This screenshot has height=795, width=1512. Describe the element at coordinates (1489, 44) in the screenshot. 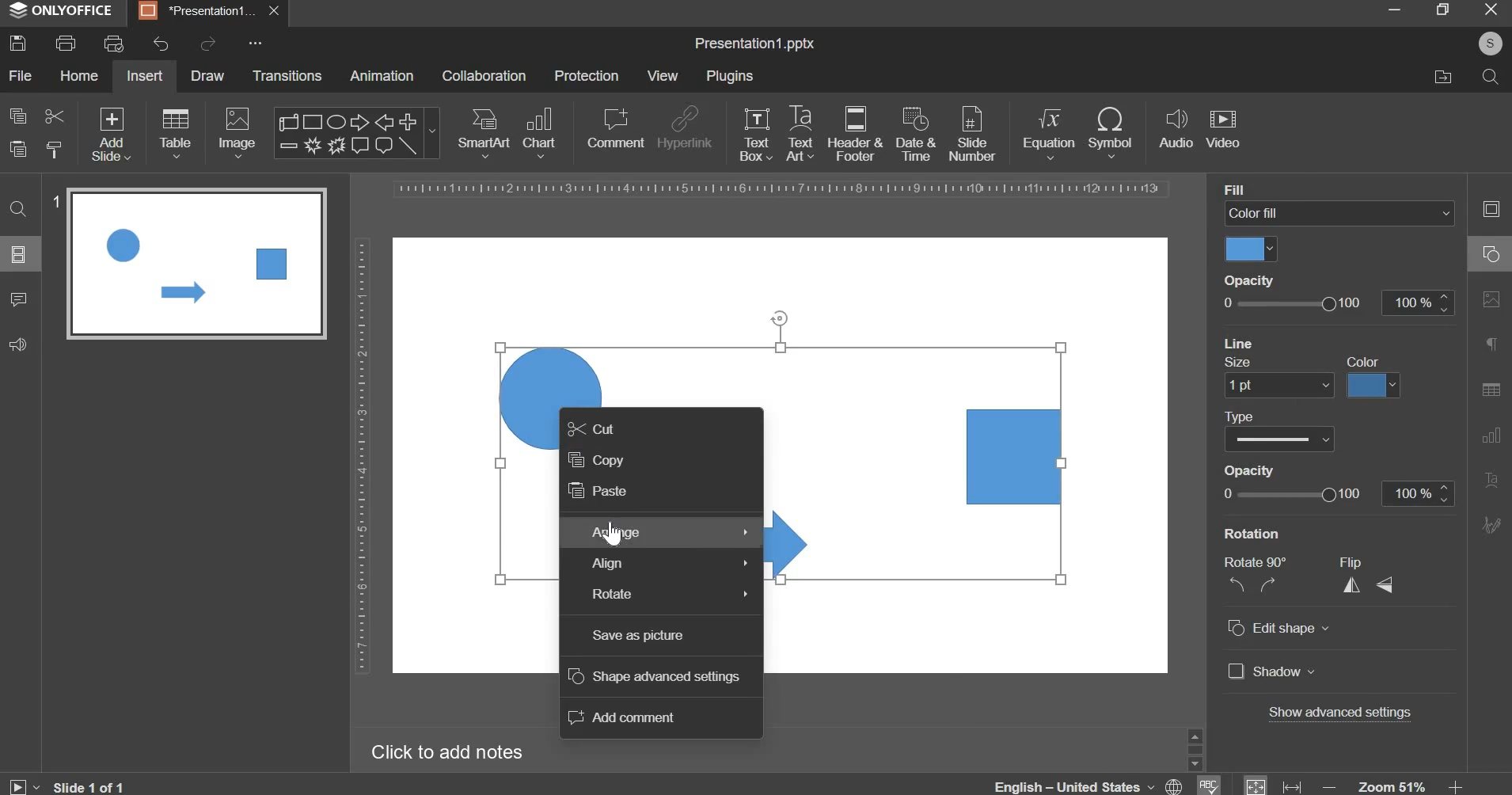

I see `user profile` at that location.